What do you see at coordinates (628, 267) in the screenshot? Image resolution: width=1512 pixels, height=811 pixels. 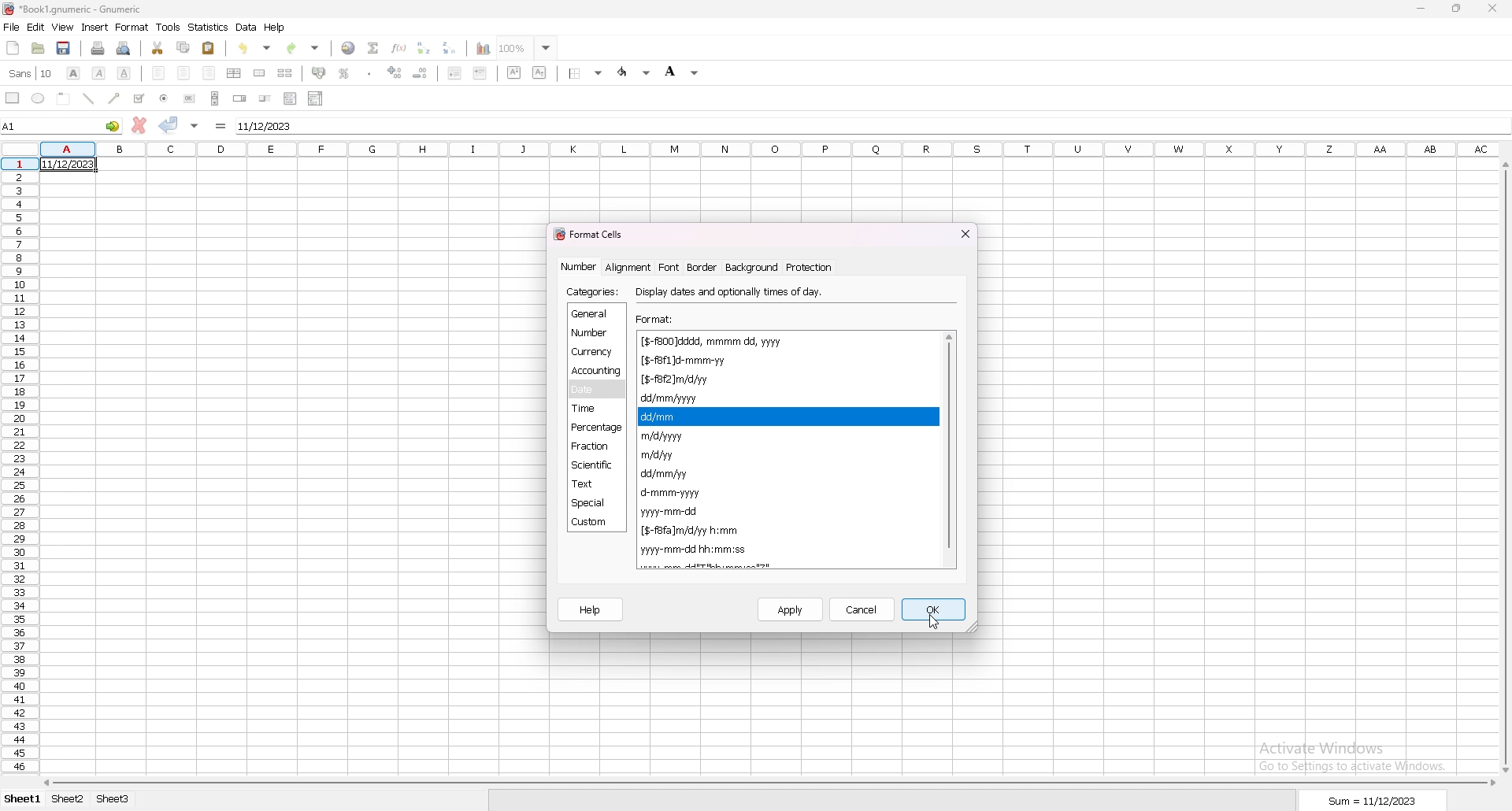 I see `alignment` at bounding box center [628, 267].